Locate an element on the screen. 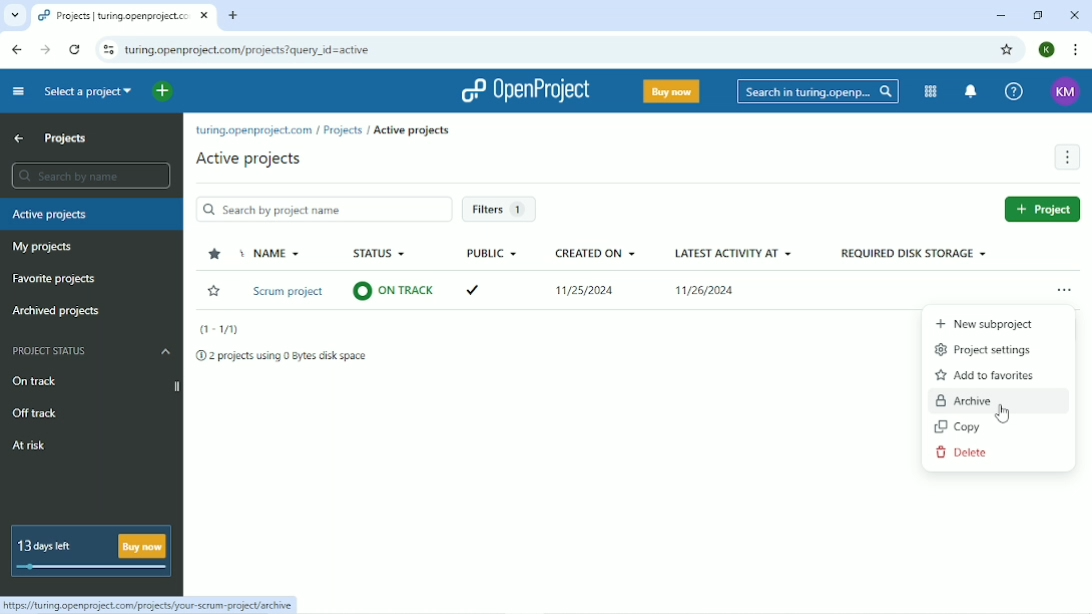  OpenProject is located at coordinates (529, 90).